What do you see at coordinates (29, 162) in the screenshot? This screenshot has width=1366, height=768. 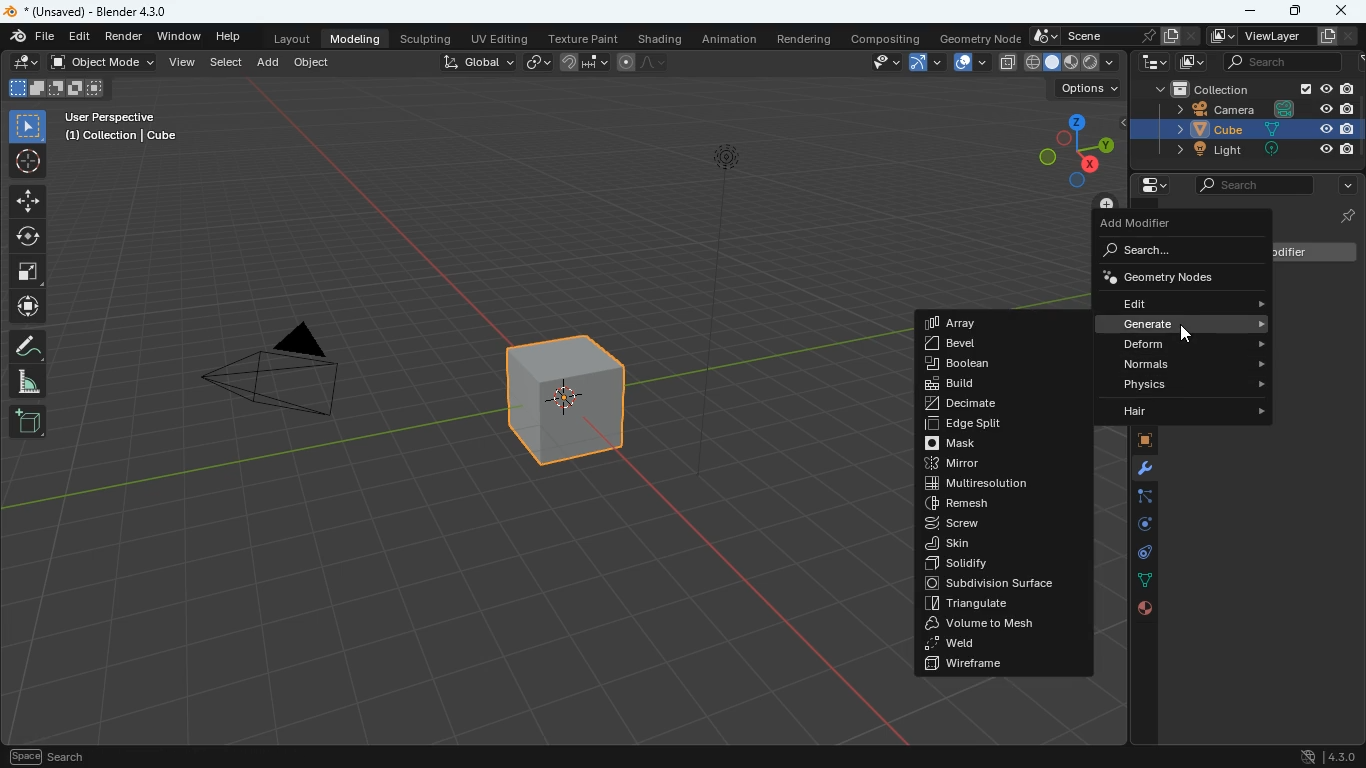 I see `aim` at bounding box center [29, 162].